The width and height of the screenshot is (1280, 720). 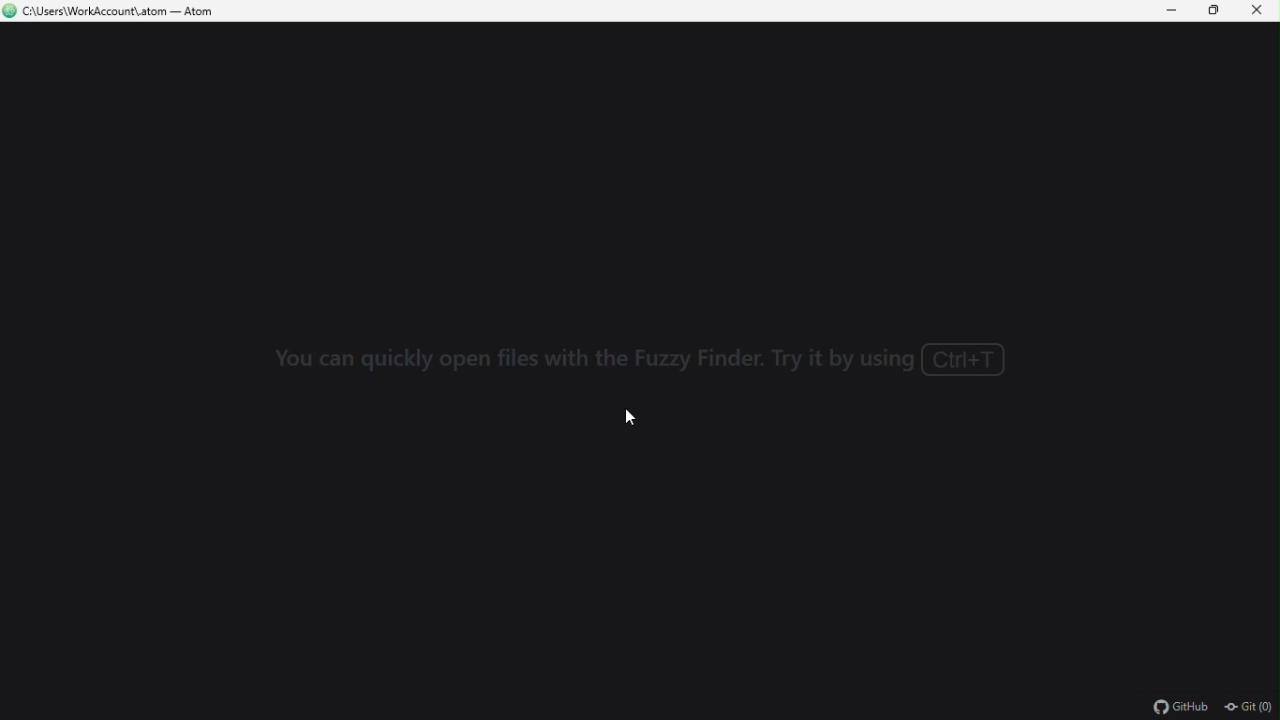 I want to click on maximize, so click(x=1209, y=11).